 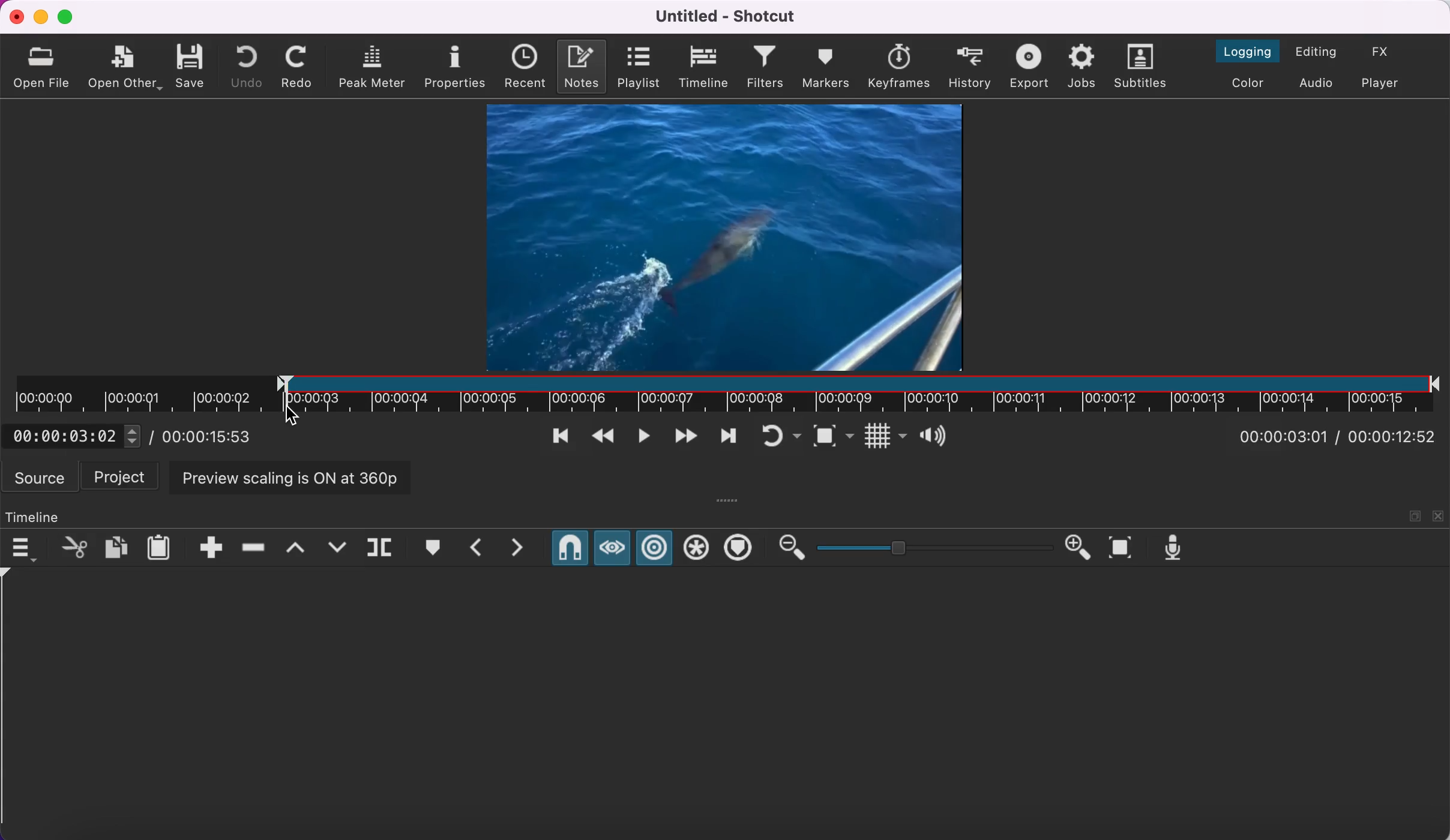 I want to click on total duration, so click(x=1397, y=438).